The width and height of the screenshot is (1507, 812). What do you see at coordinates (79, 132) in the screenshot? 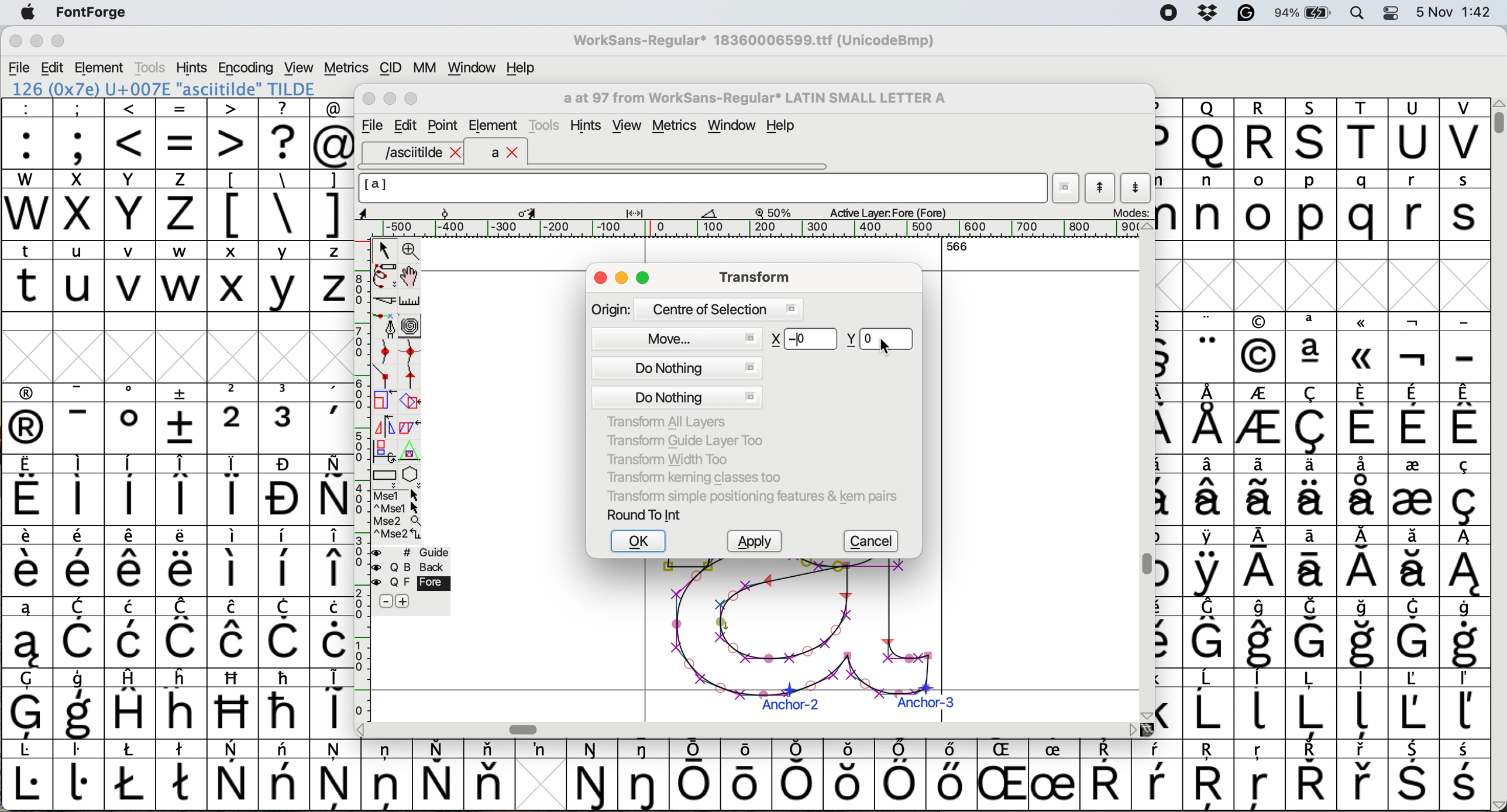
I see `;` at bounding box center [79, 132].